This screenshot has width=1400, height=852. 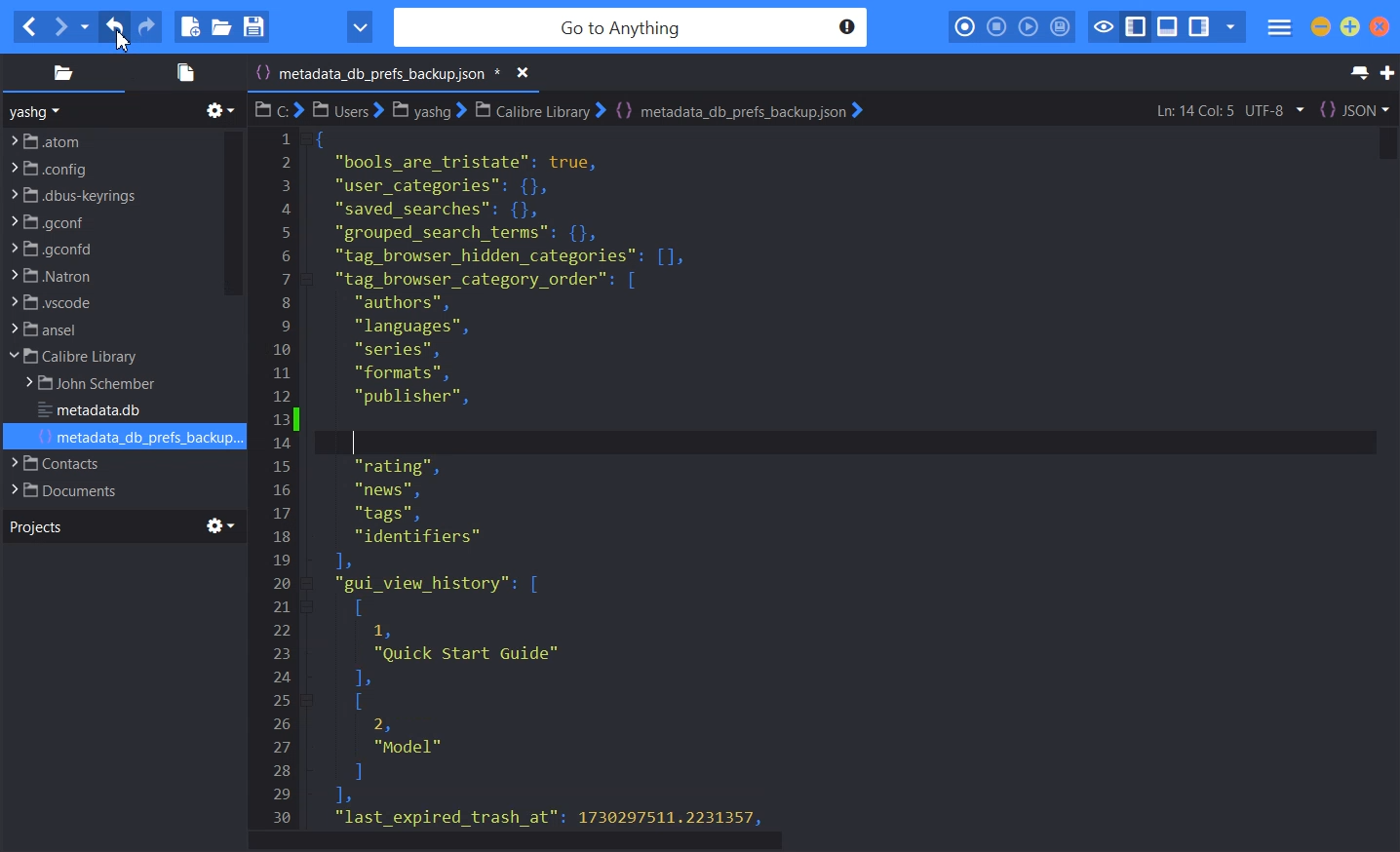 What do you see at coordinates (190, 27) in the screenshot?
I see `New file using default Language` at bounding box center [190, 27].